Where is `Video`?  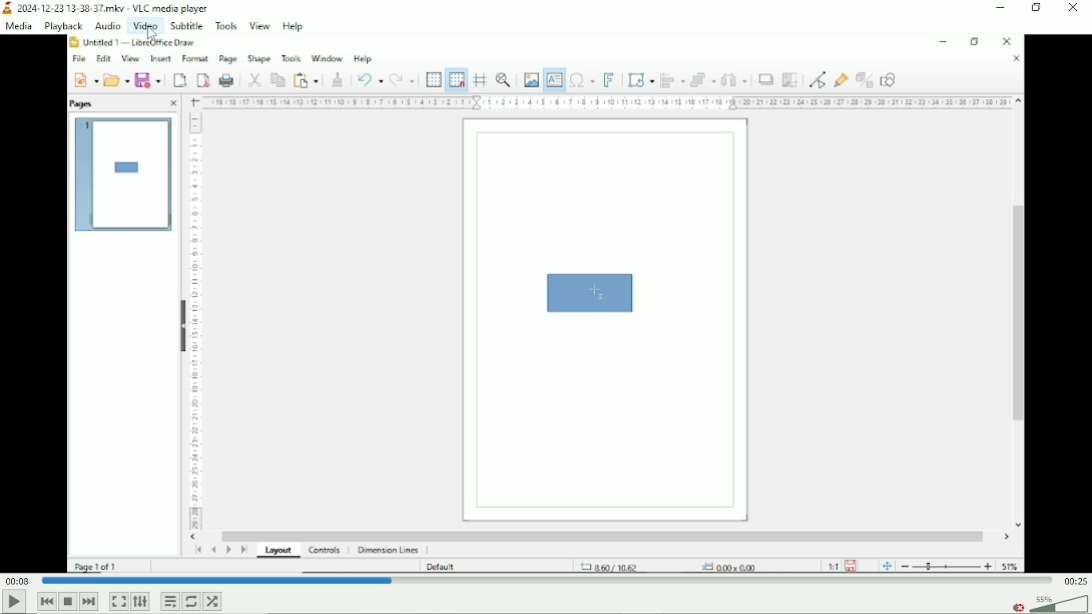 Video is located at coordinates (145, 26).